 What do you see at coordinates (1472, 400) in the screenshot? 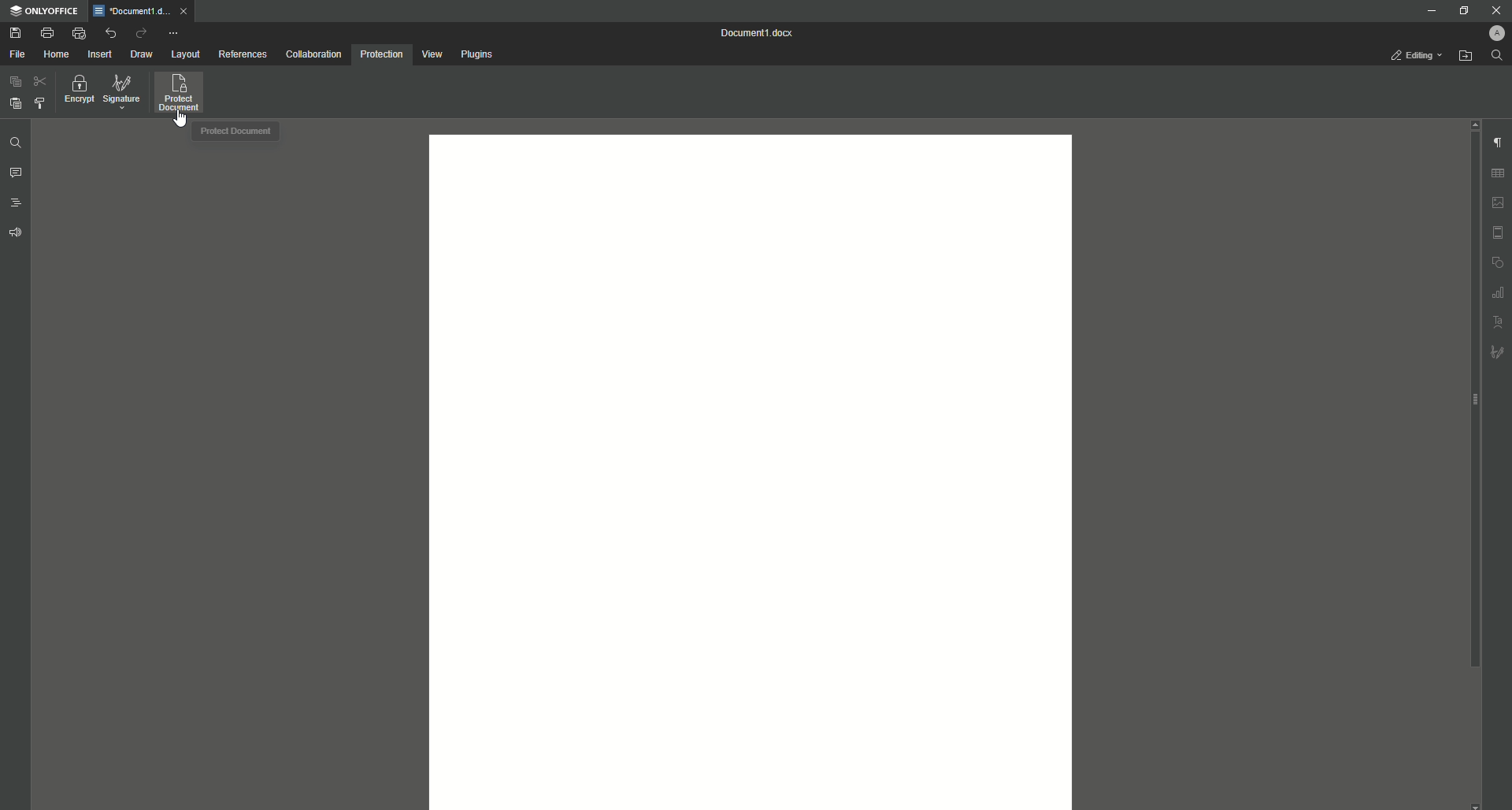
I see `scroll bar` at bounding box center [1472, 400].